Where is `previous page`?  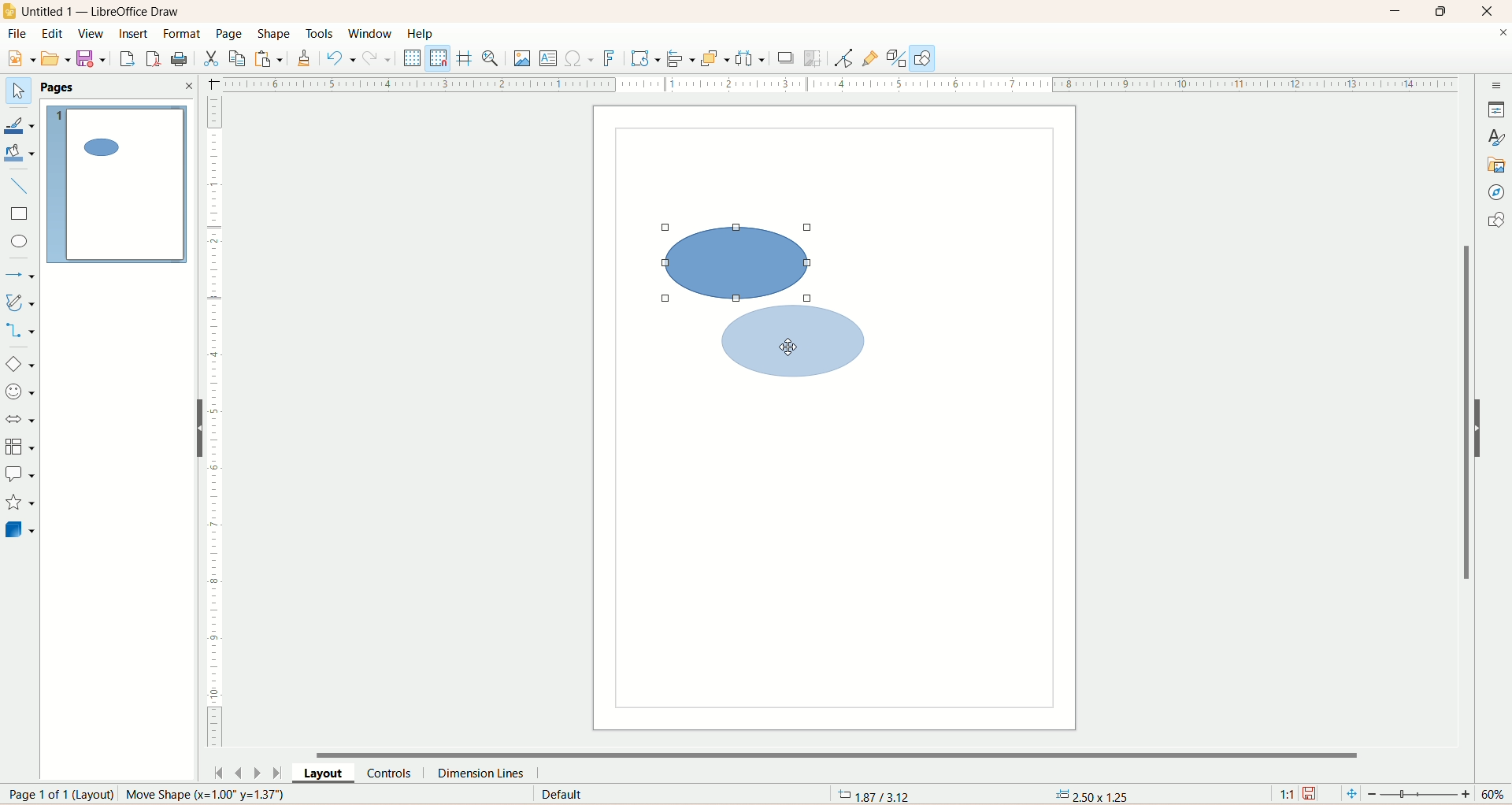
previous page is located at coordinates (239, 772).